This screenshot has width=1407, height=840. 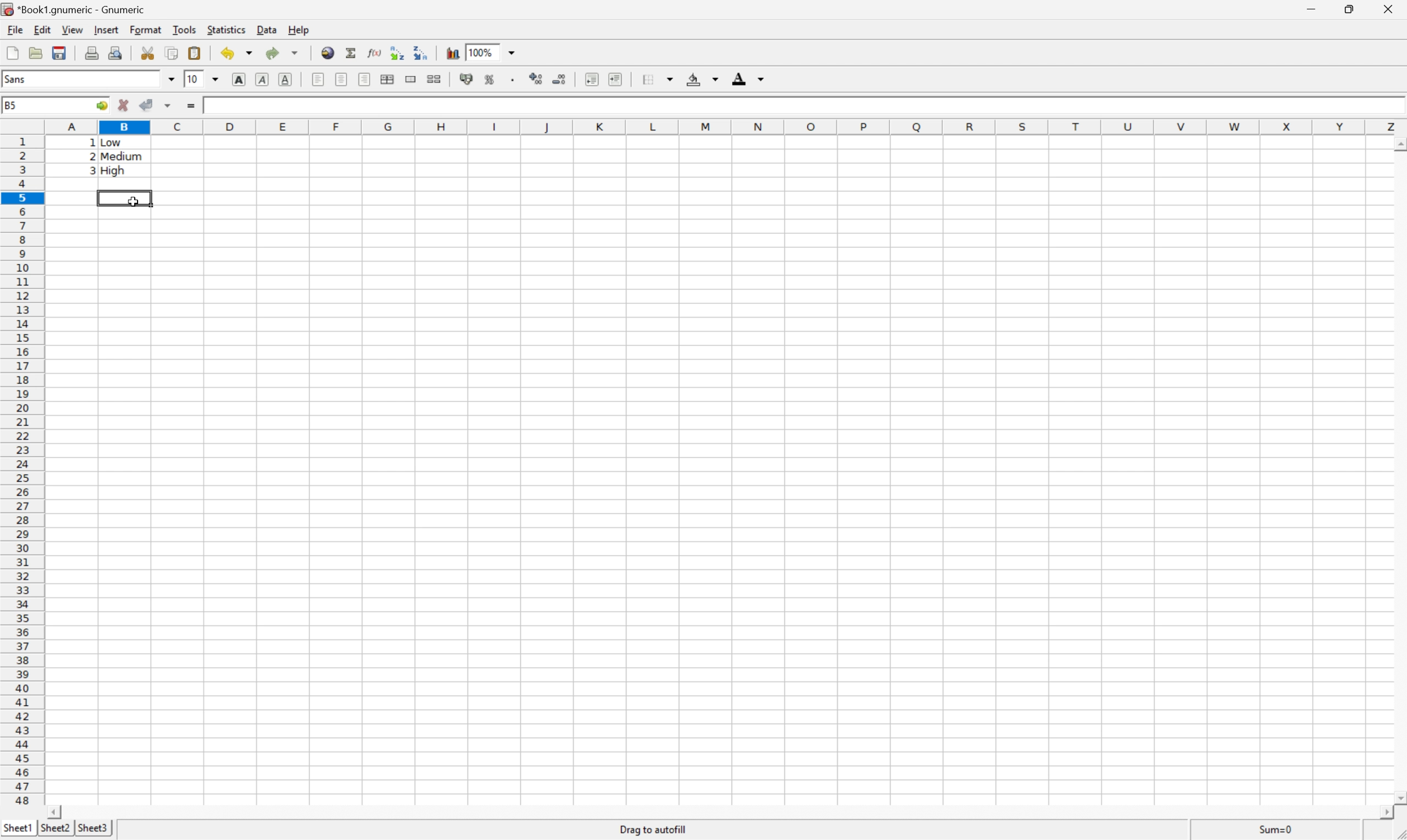 What do you see at coordinates (19, 79) in the screenshot?
I see `Sans` at bounding box center [19, 79].